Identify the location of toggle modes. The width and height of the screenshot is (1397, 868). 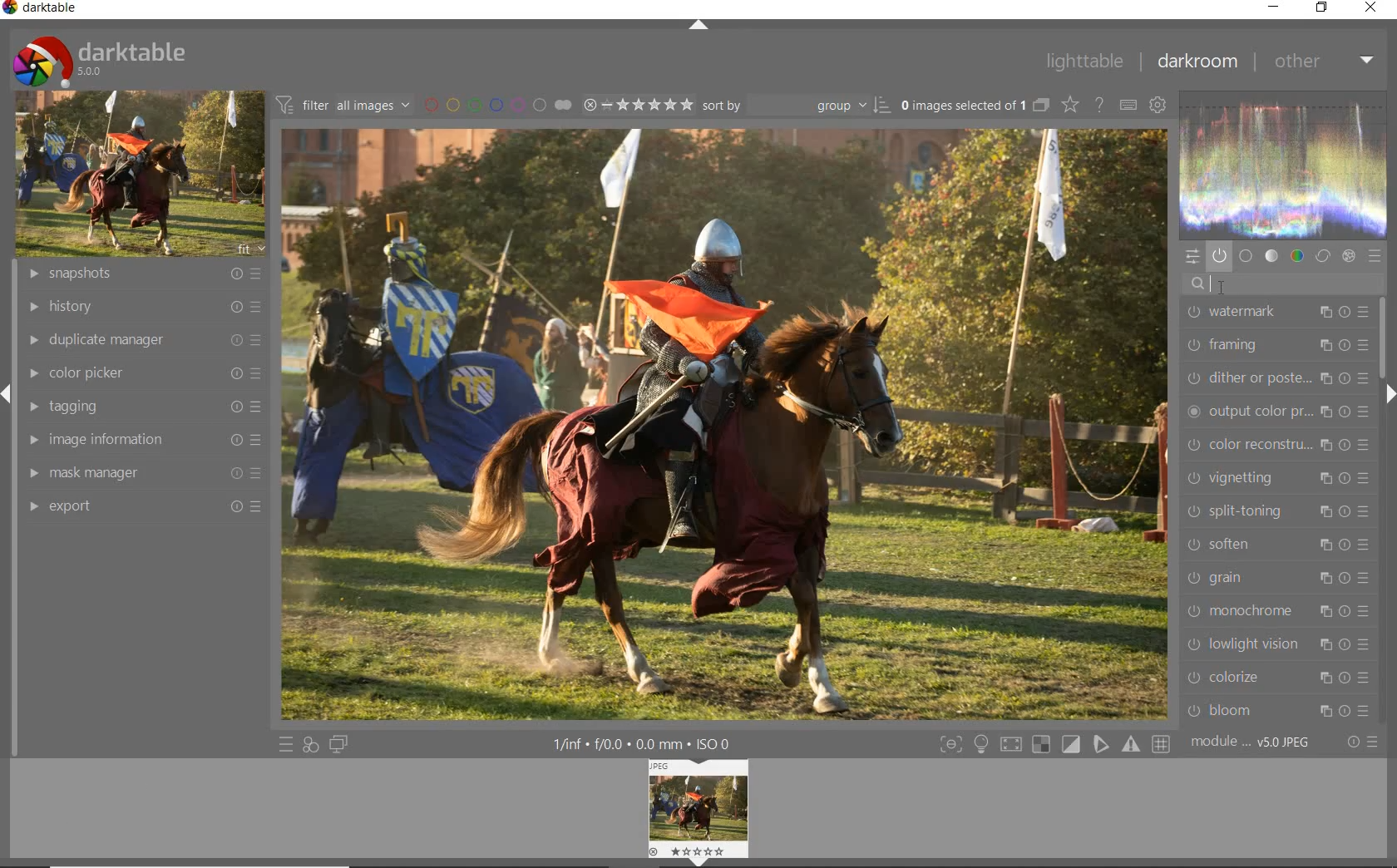
(1051, 744).